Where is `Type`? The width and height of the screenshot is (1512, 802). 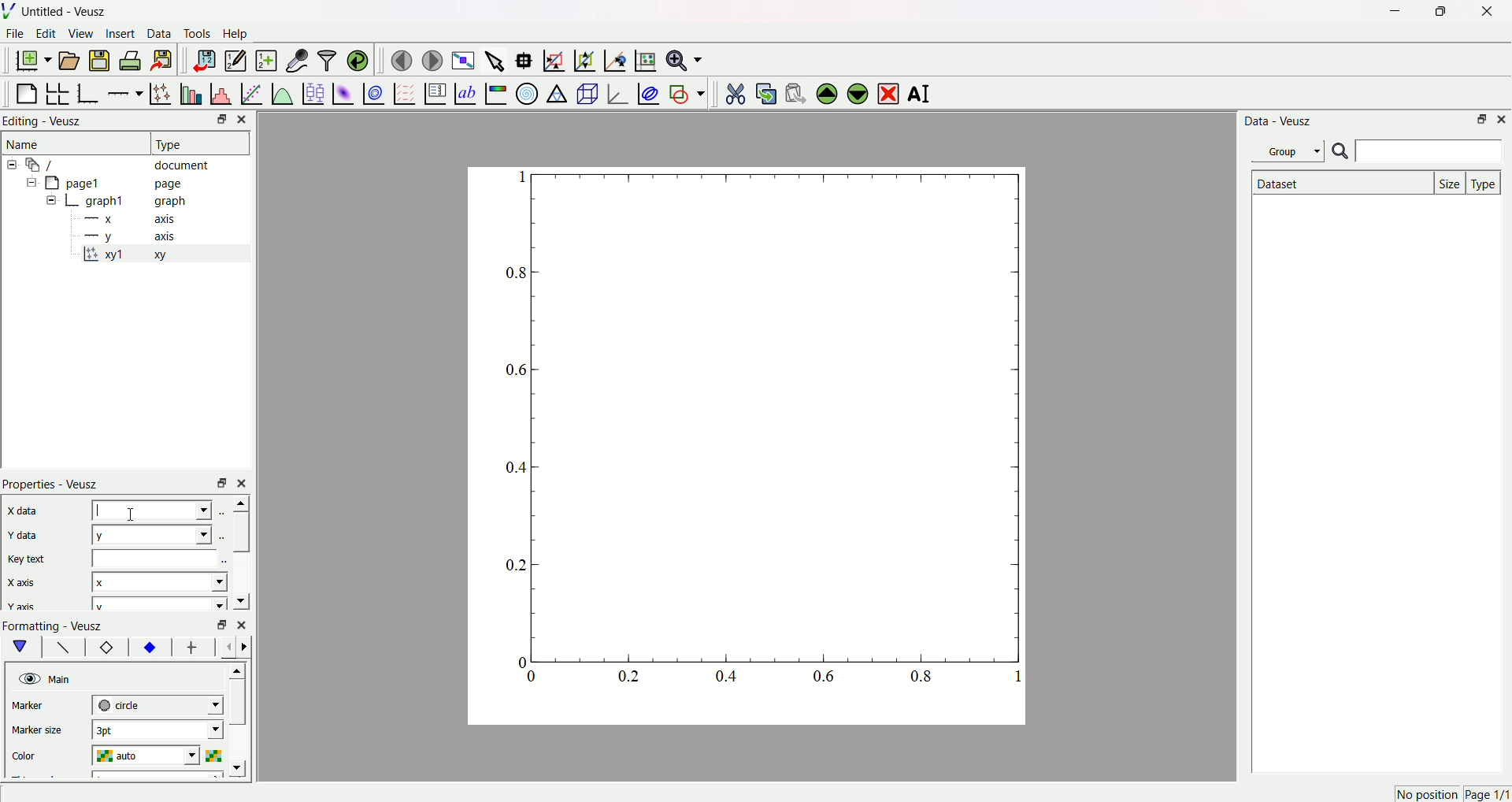
Type is located at coordinates (1485, 182).